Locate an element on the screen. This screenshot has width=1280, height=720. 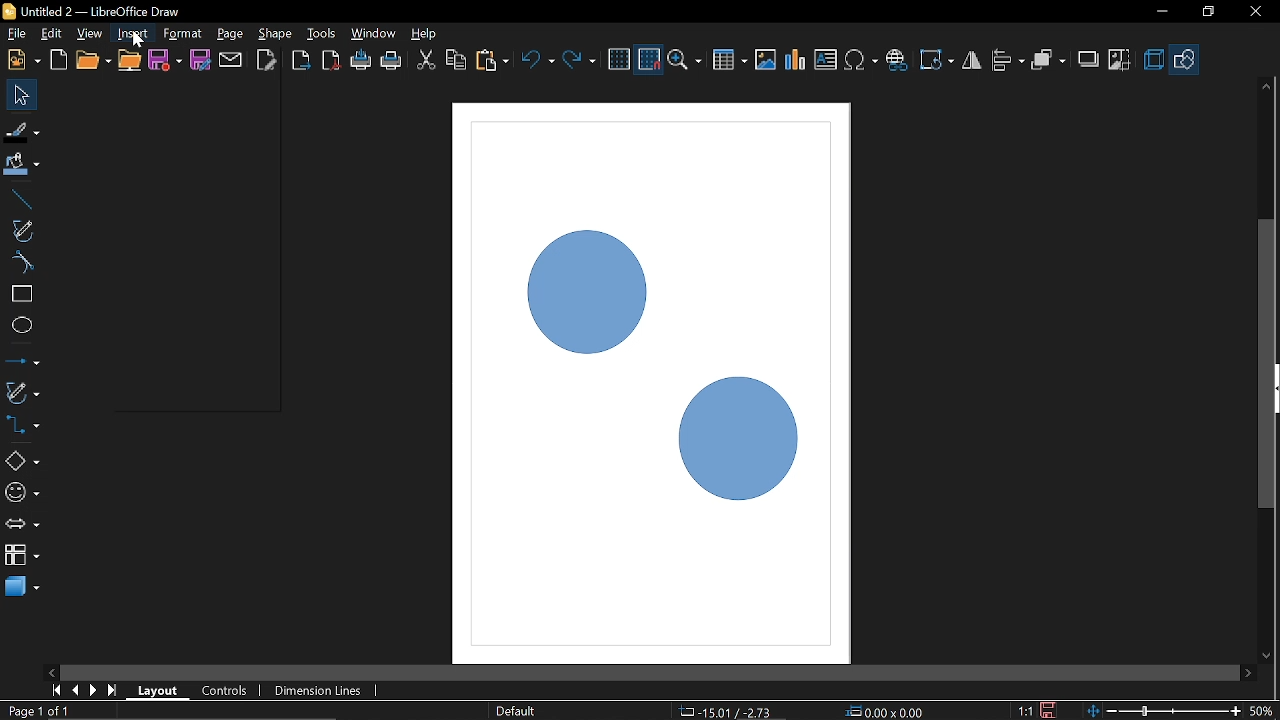
Last page is located at coordinates (114, 692).